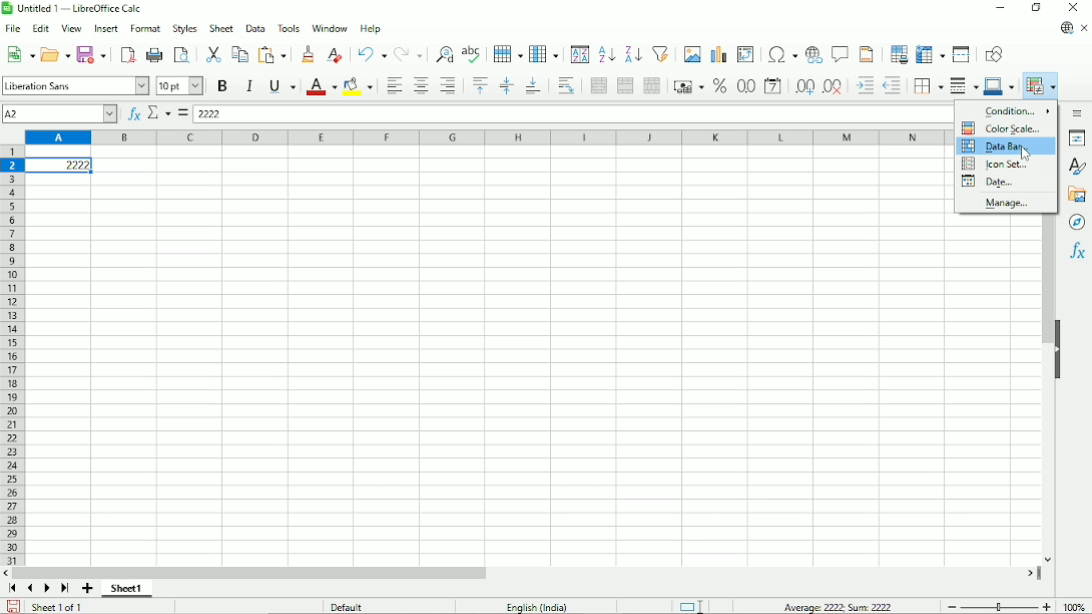 The image size is (1092, 614). I want to click on Unmerge cells, so click(651, 86).